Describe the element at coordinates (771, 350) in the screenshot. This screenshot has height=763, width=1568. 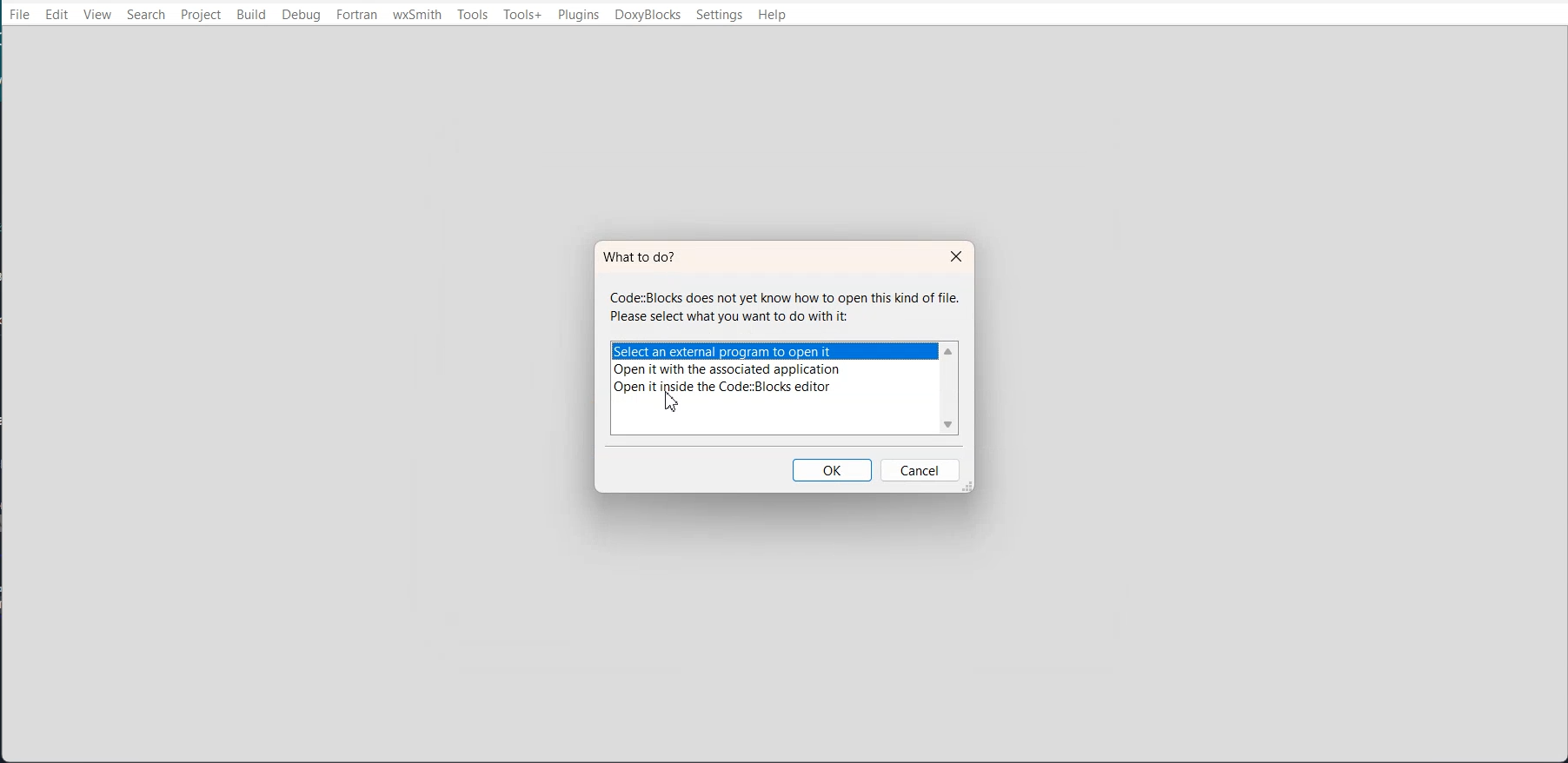
I see `Select an external program to open it` at that location.